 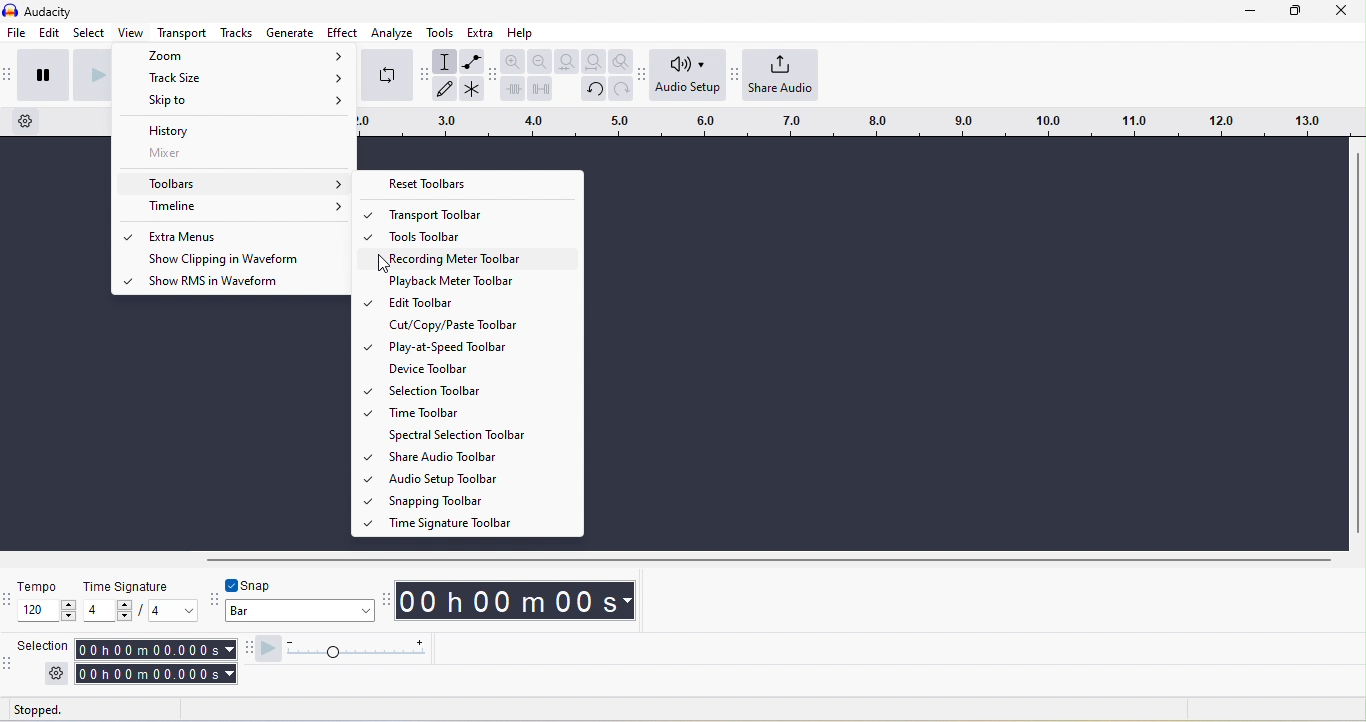 I want to click on set time signature, so click(x=108, y=610).